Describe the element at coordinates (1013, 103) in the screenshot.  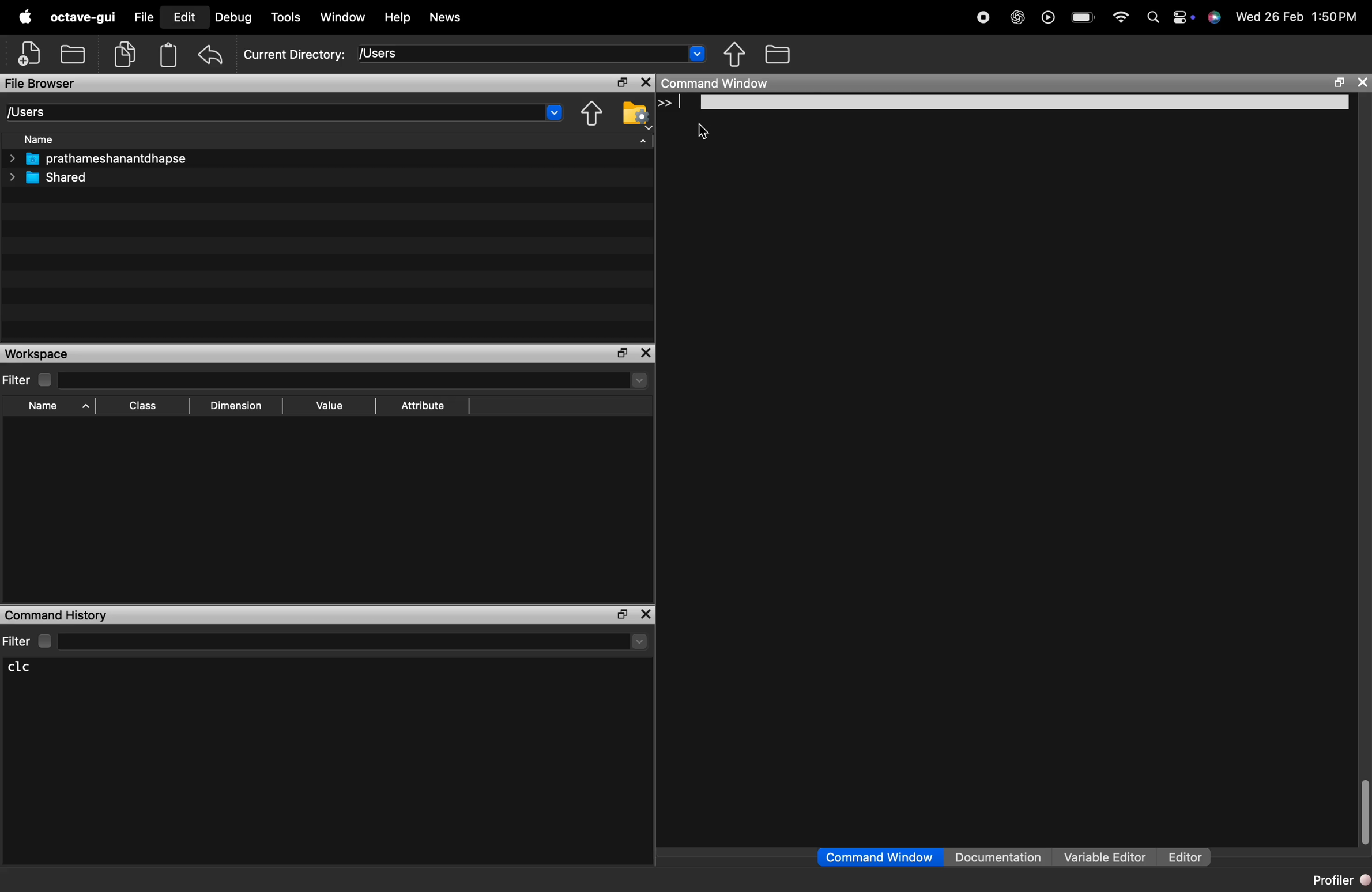
I see `tap text` at that location.